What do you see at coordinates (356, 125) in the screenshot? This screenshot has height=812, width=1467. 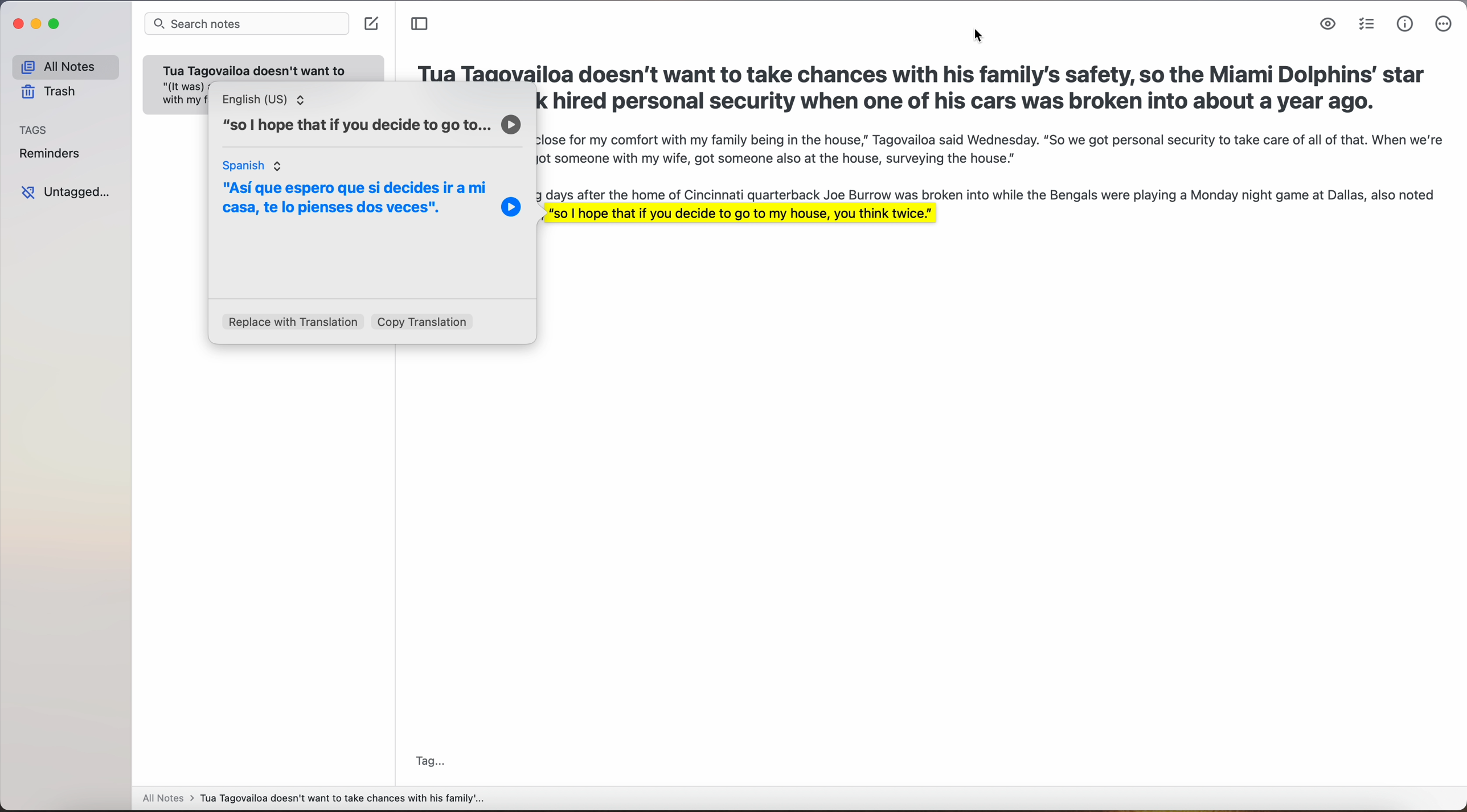 I see `“so | hope that if you decide to go to...` at bounding box center [356, 125].